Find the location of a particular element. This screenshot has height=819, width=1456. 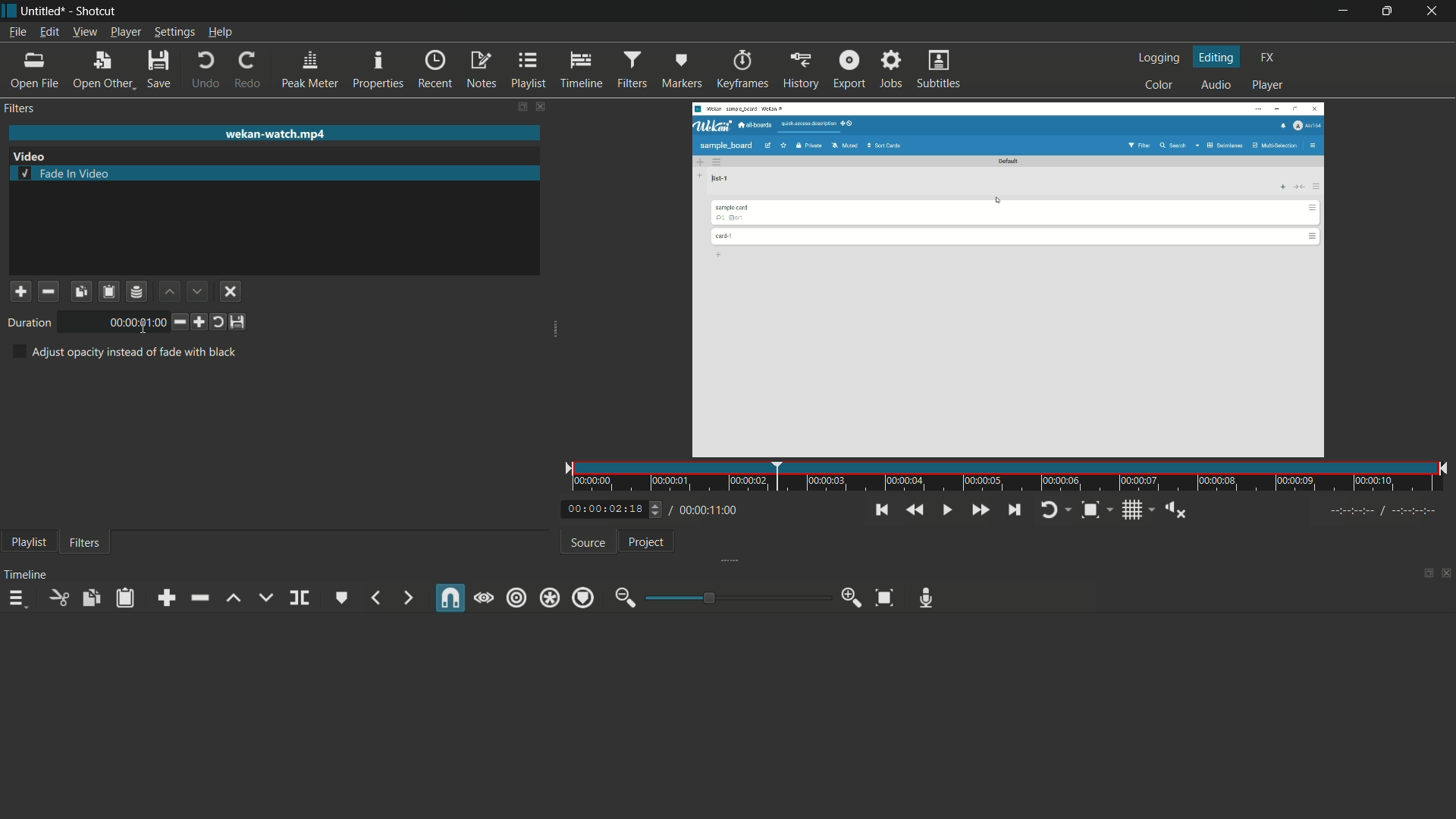

adjust is located at coordinates (651, 509).